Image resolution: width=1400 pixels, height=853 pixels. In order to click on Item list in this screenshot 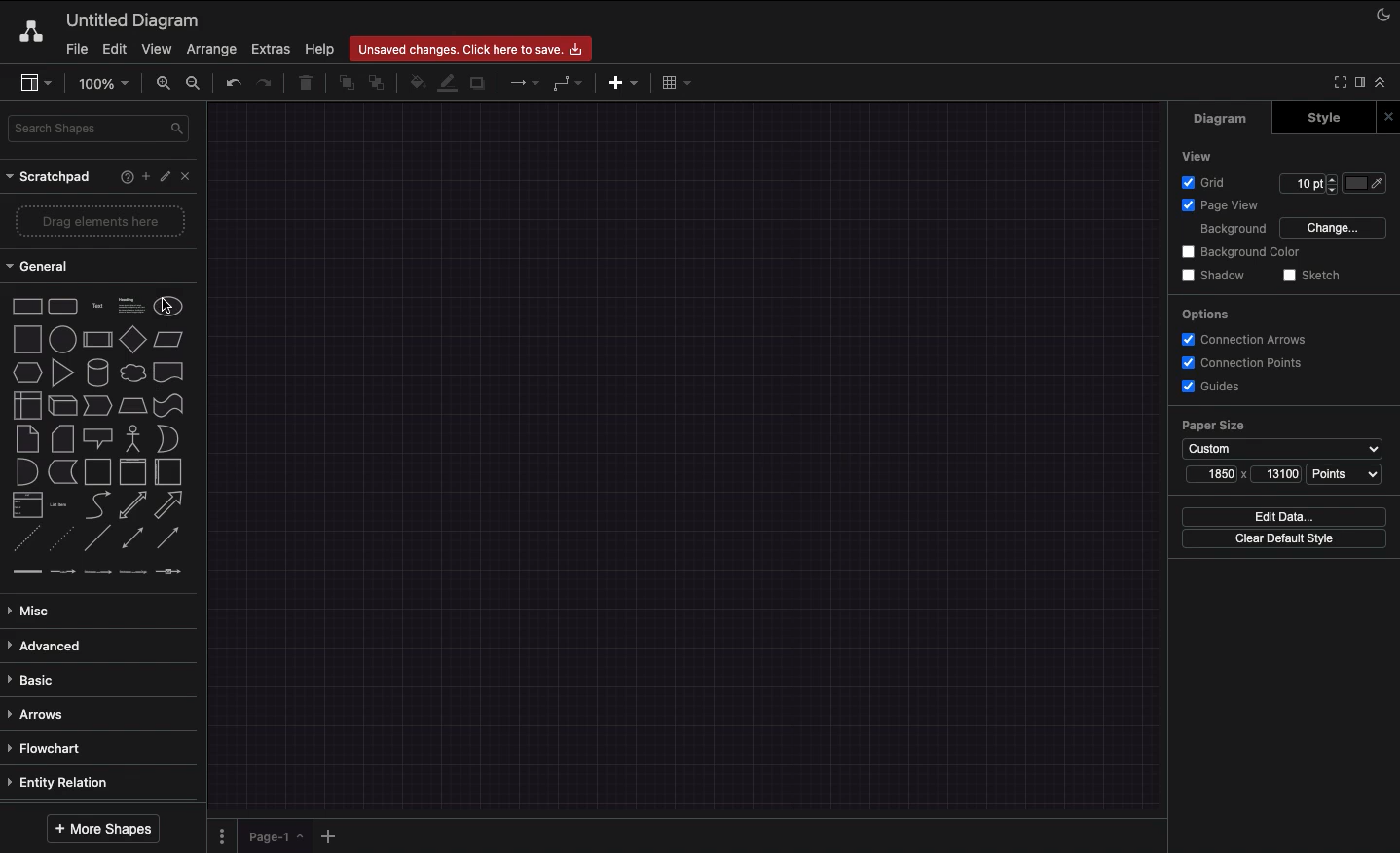, I will do `click(64, 505)`.